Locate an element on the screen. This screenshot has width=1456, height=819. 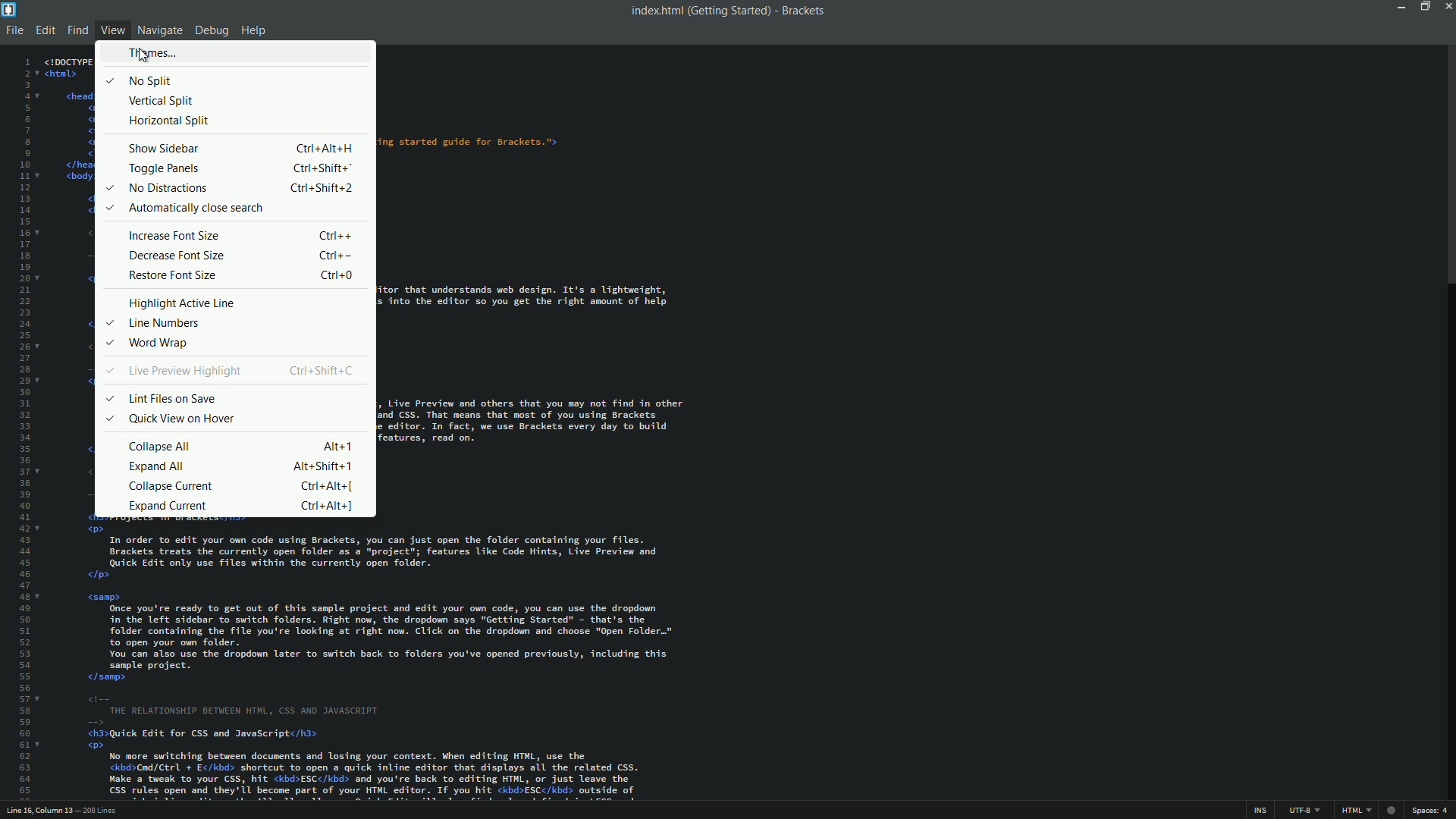
line numbers is located at coordinates (22, 428).